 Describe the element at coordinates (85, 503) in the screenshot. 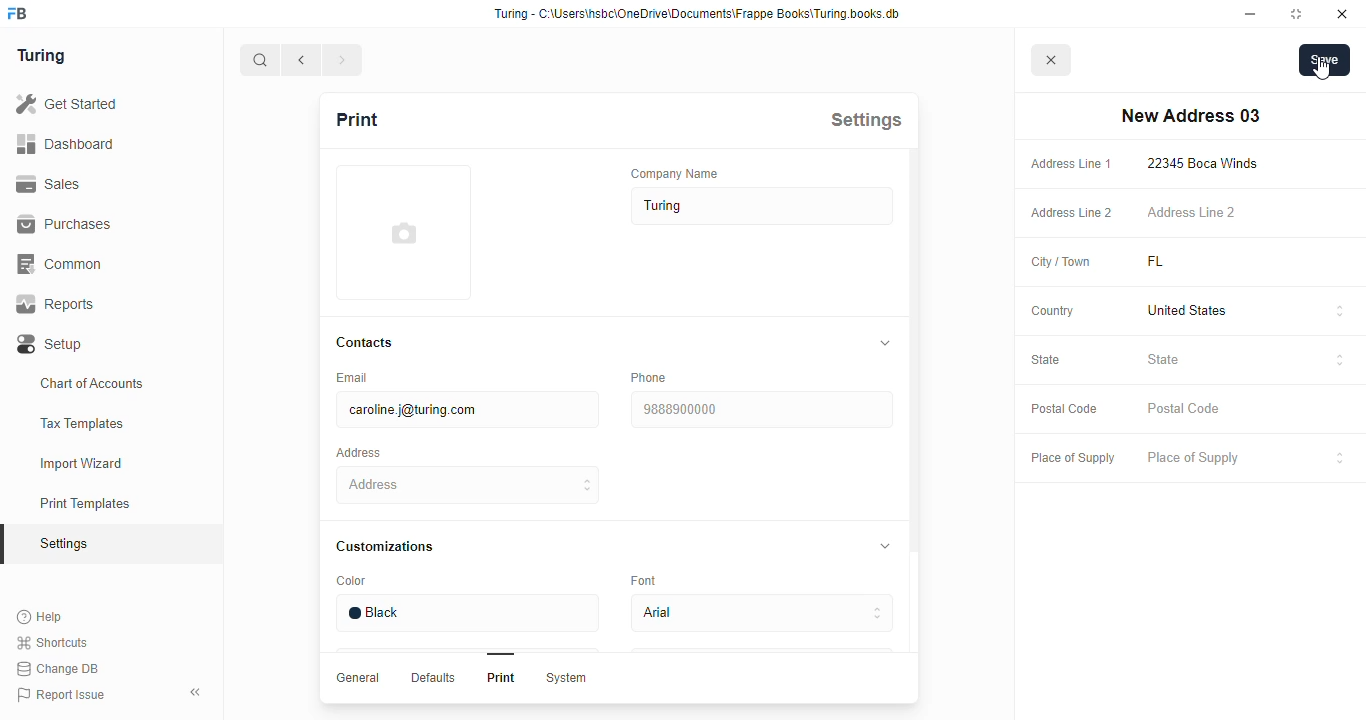

I see `print templates` at that location.